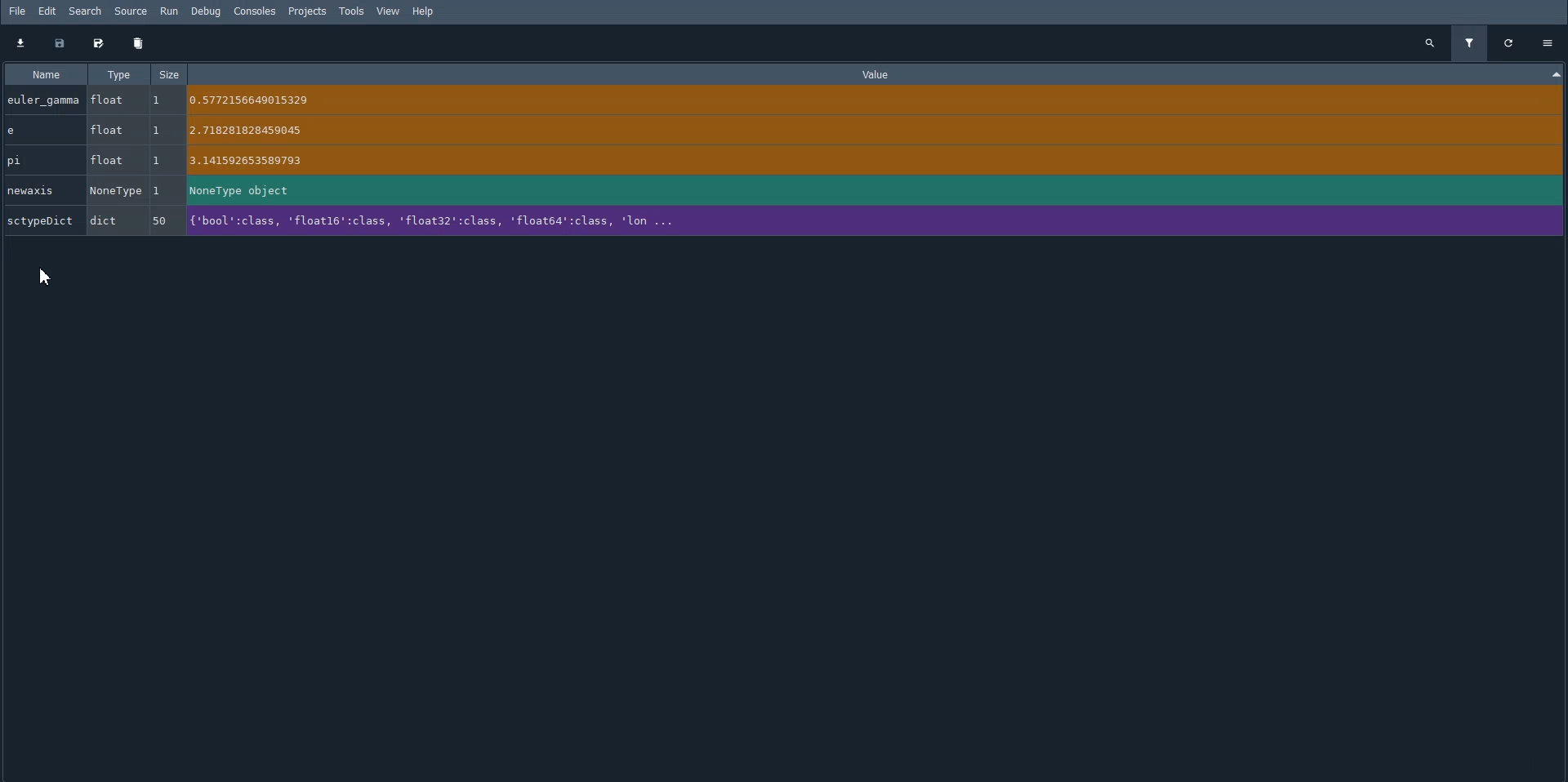  Describe the element at coordinates (1511, 42) in the screenshot. I see `Refresh all variables ` at that location.